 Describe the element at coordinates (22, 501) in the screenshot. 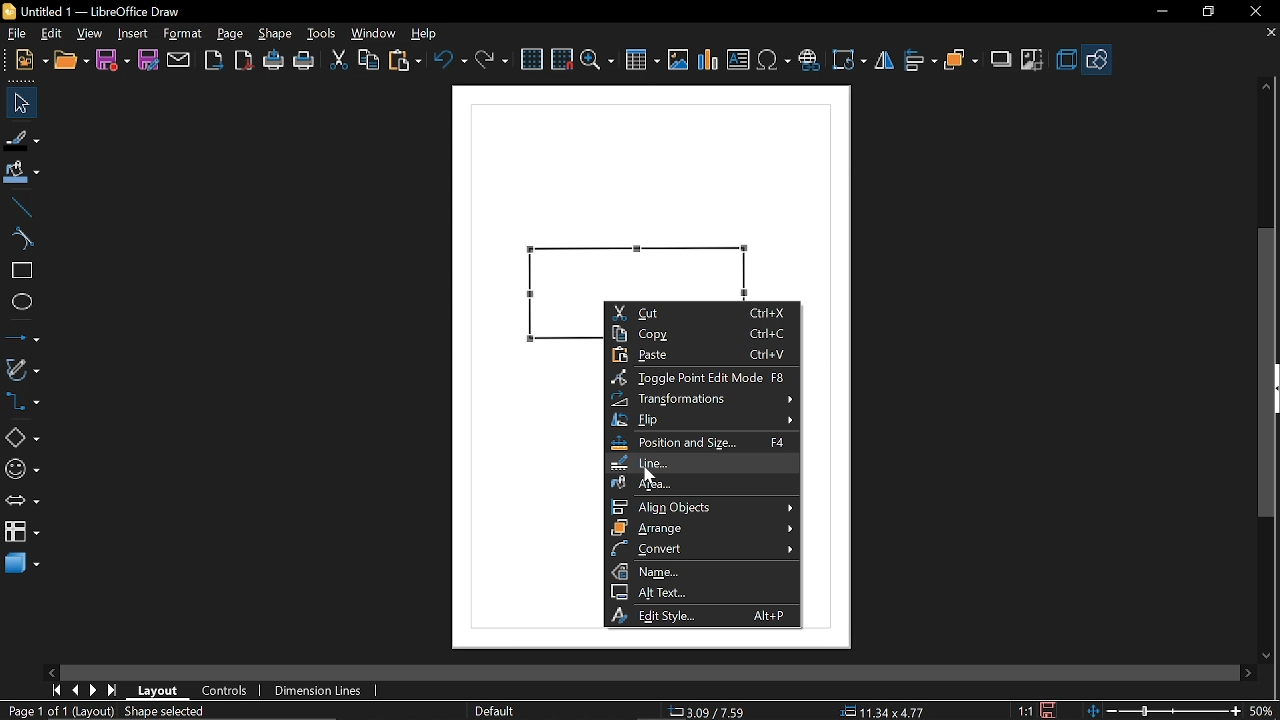

I see `arrows` at that location.